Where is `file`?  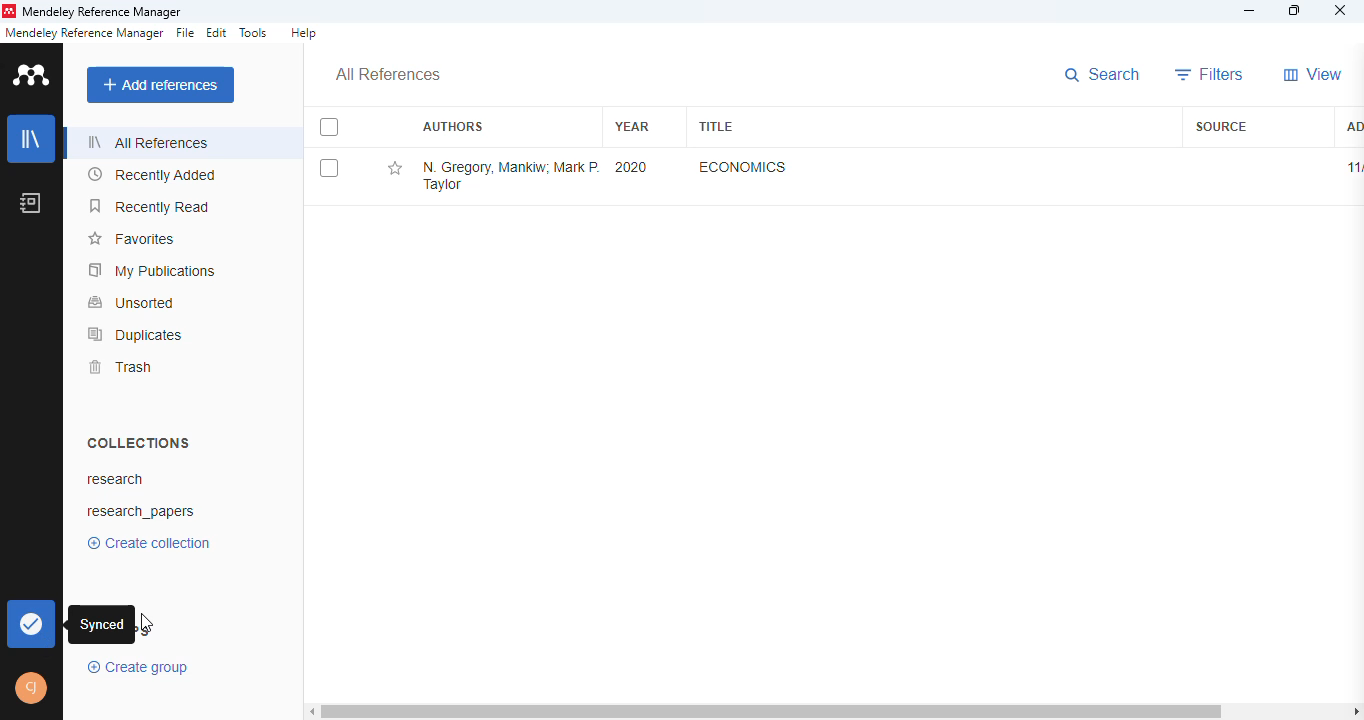 file is located at coordinates (185, 33).